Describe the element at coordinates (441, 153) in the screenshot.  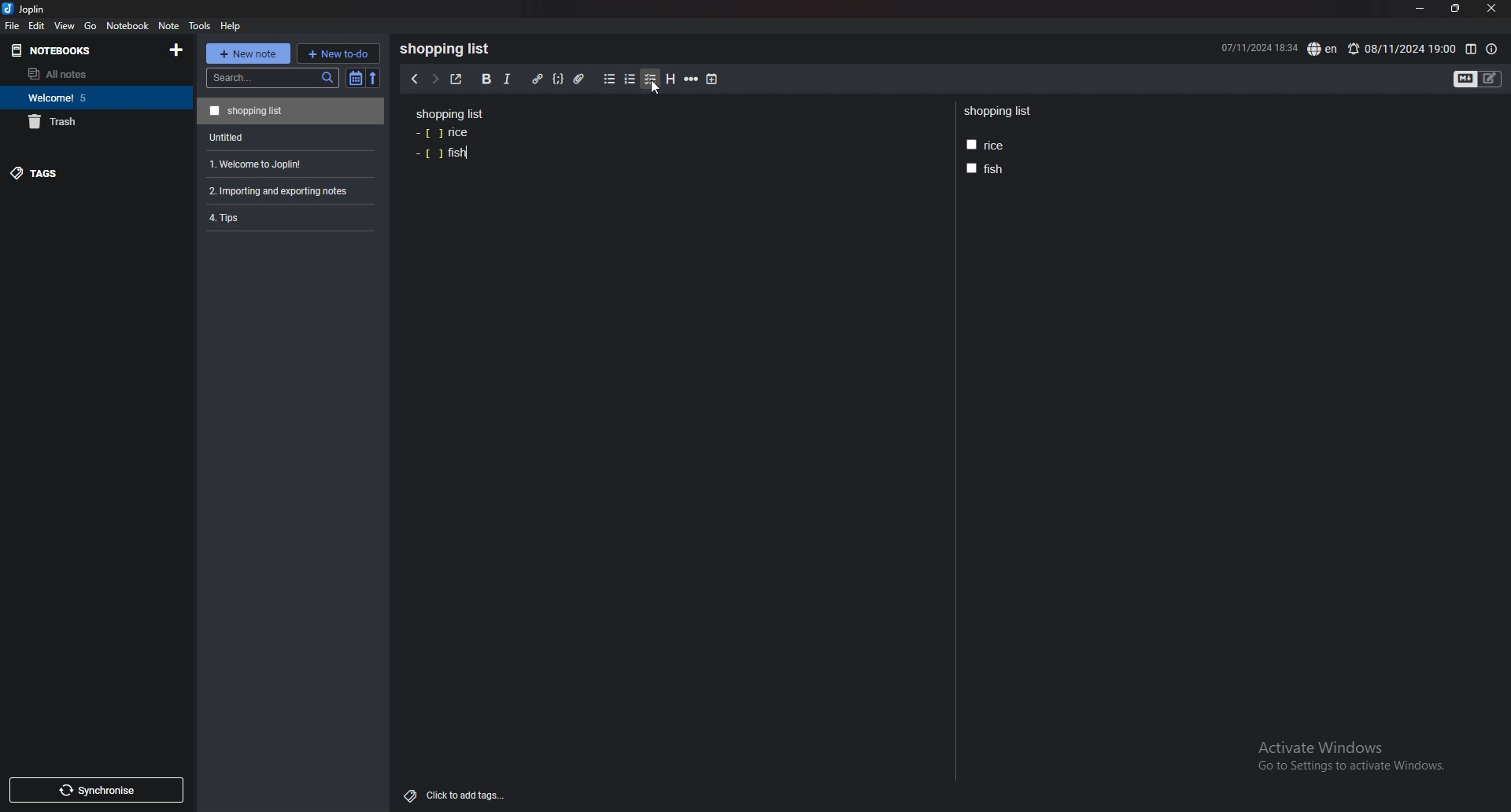
I see `fish` at that location.